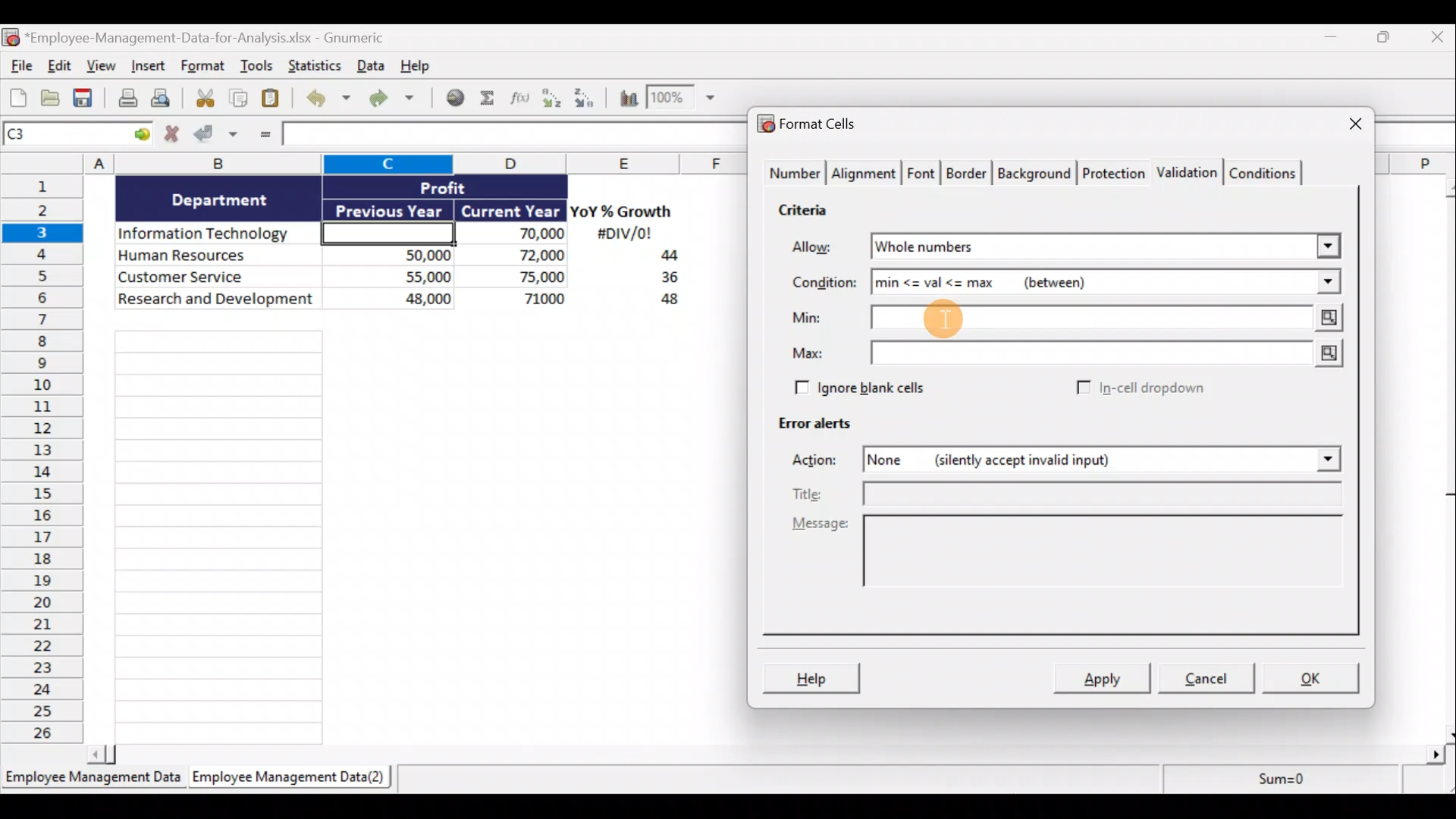 The height and width of the screenshot is (819, 1456). Describe the element at coordinates (930, 322) in the screenshot. I see `cursor` at that location.